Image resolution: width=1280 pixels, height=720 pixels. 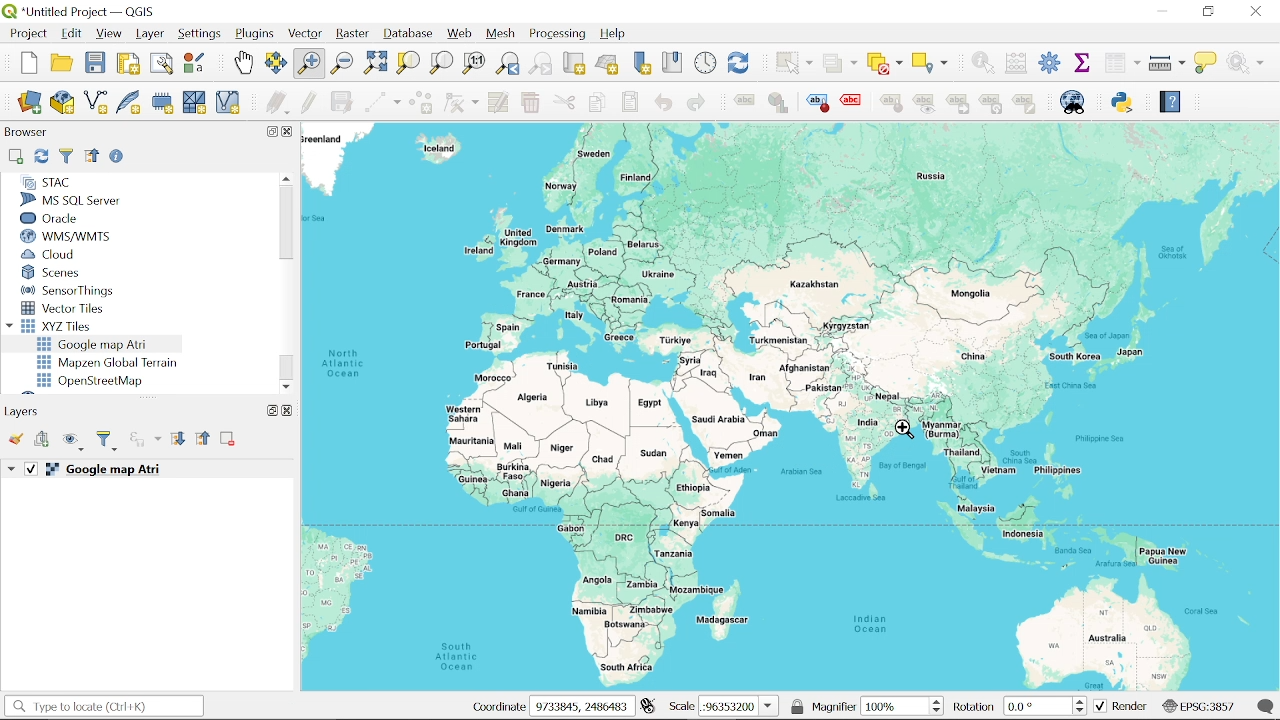 I want to click on Type here to locate, so click(x=103, y=707).